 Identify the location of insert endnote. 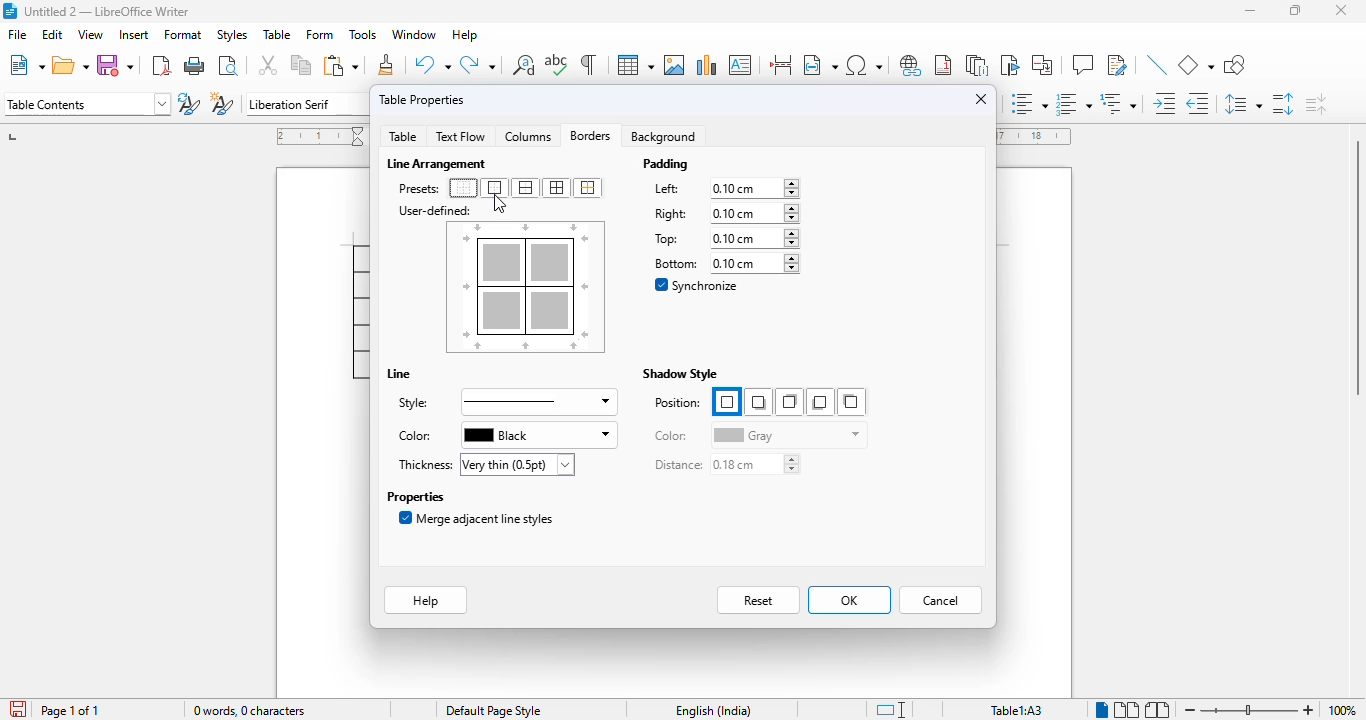
(978, 64).